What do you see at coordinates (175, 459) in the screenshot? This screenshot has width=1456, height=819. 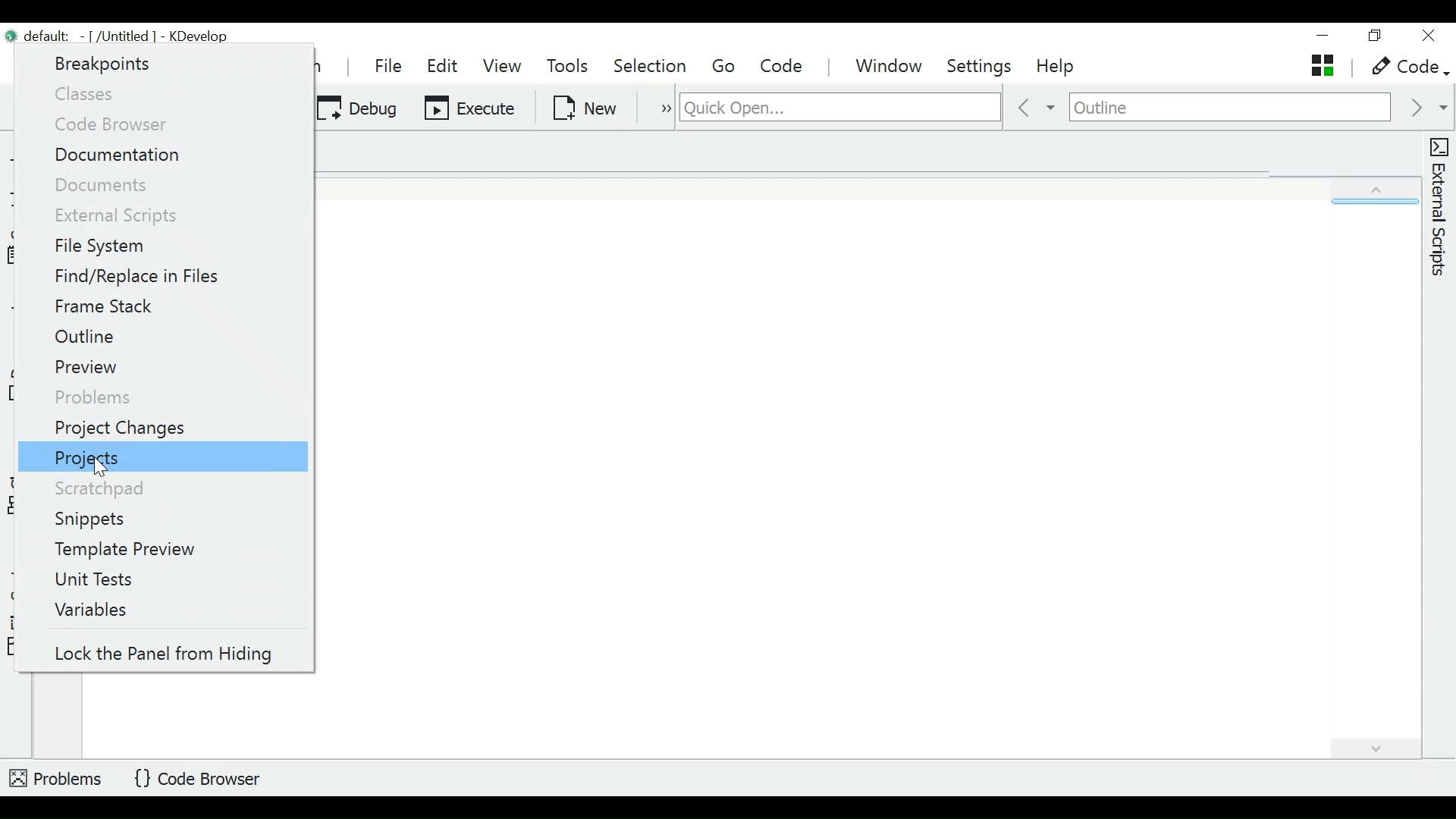 I see `Projects` at bounding box center [175, 459].